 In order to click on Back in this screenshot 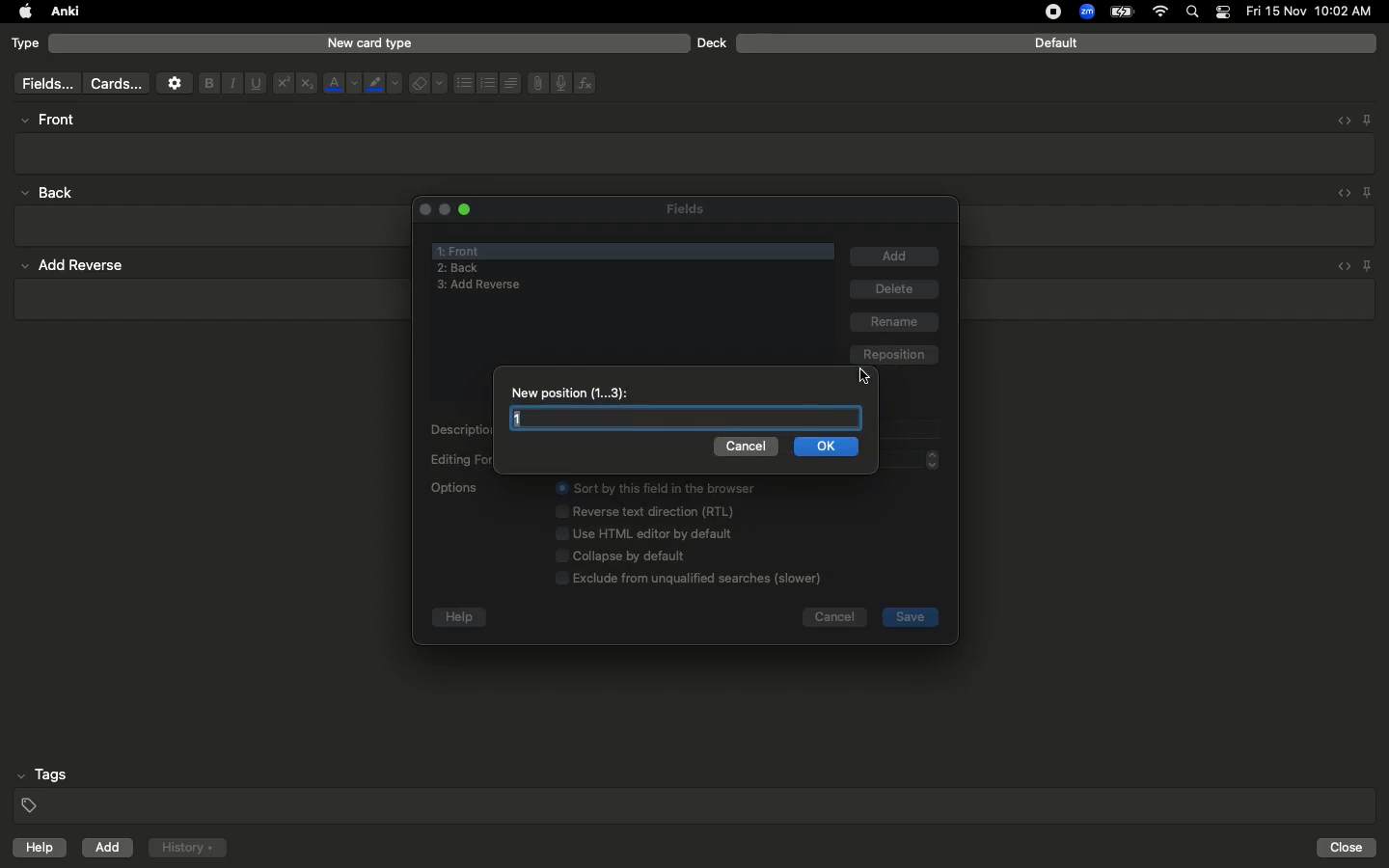, I will do `click(458, 269)`.